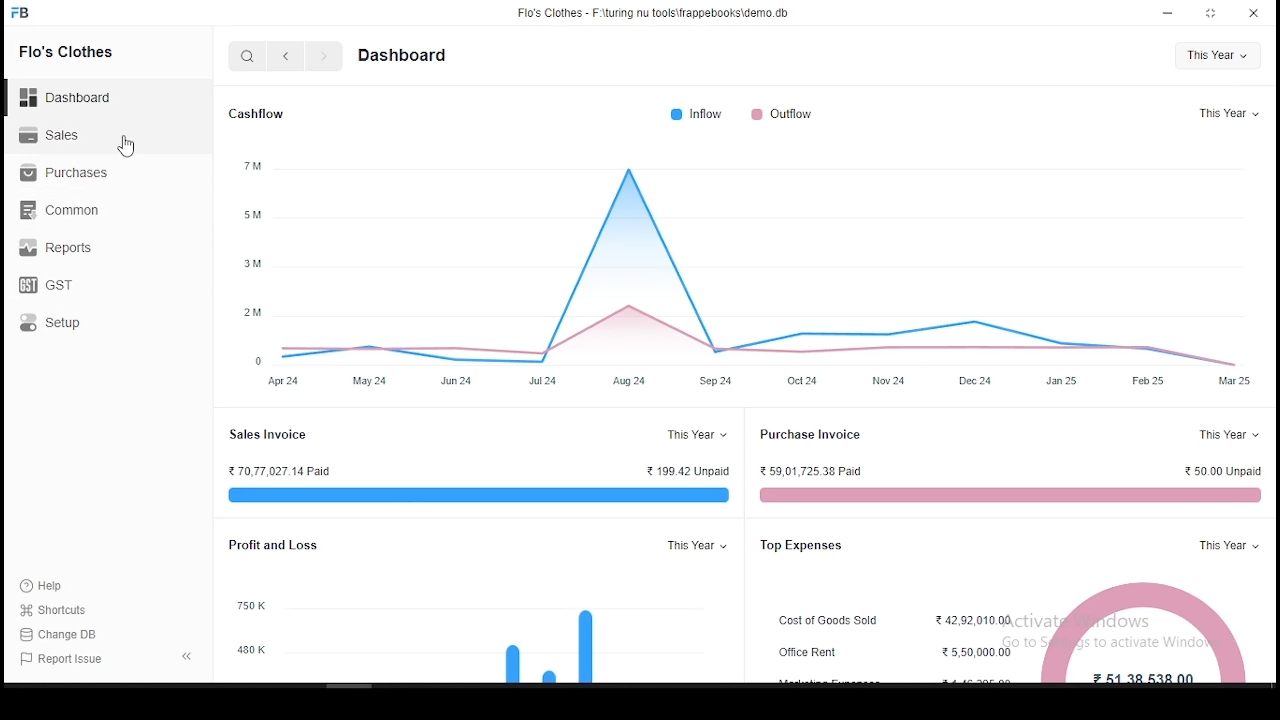 The height and width of the screenshot is (720, 1280). I want to click on FB, so click(35, 12).